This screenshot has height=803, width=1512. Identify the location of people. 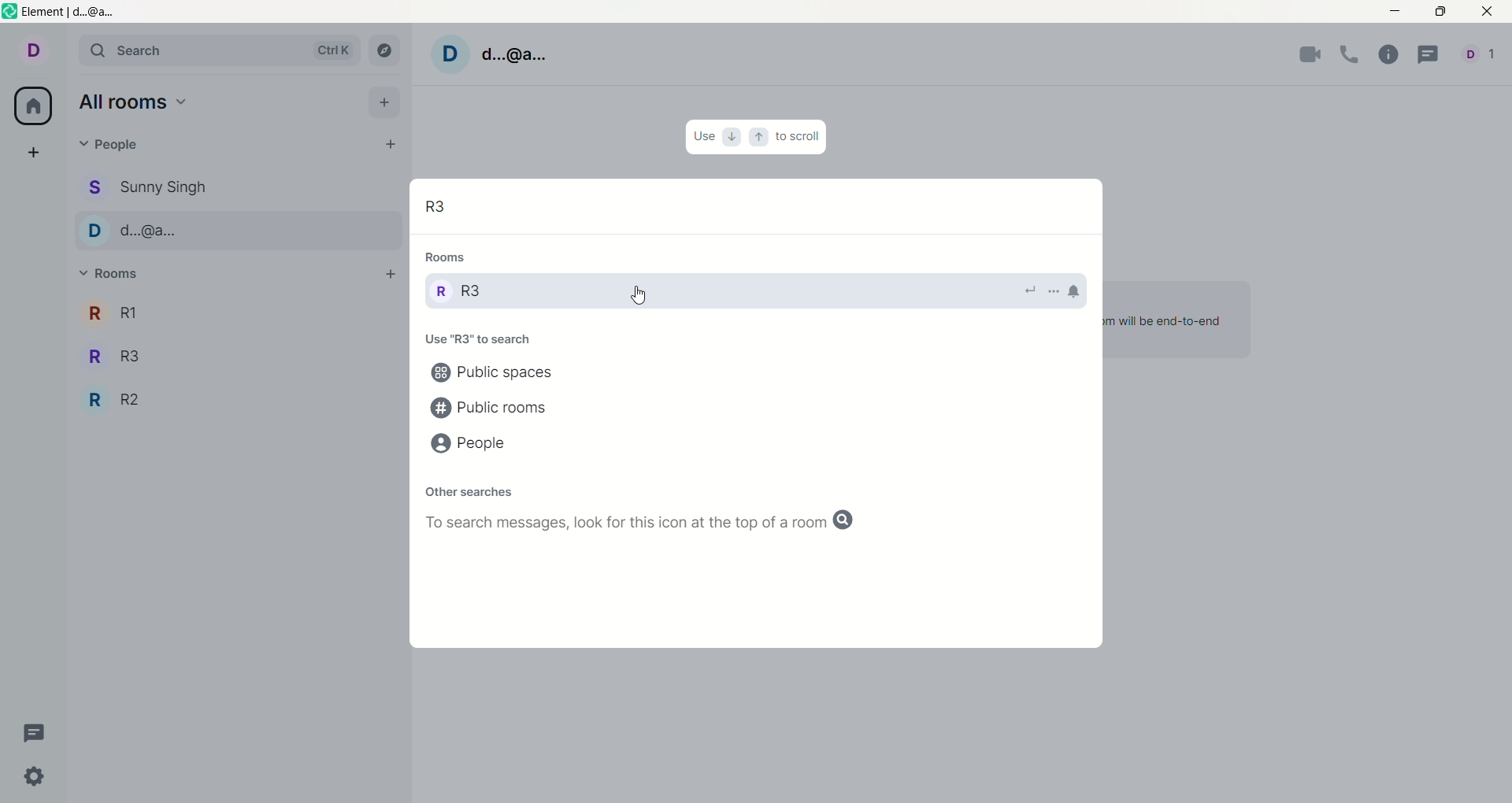
(148, 187).